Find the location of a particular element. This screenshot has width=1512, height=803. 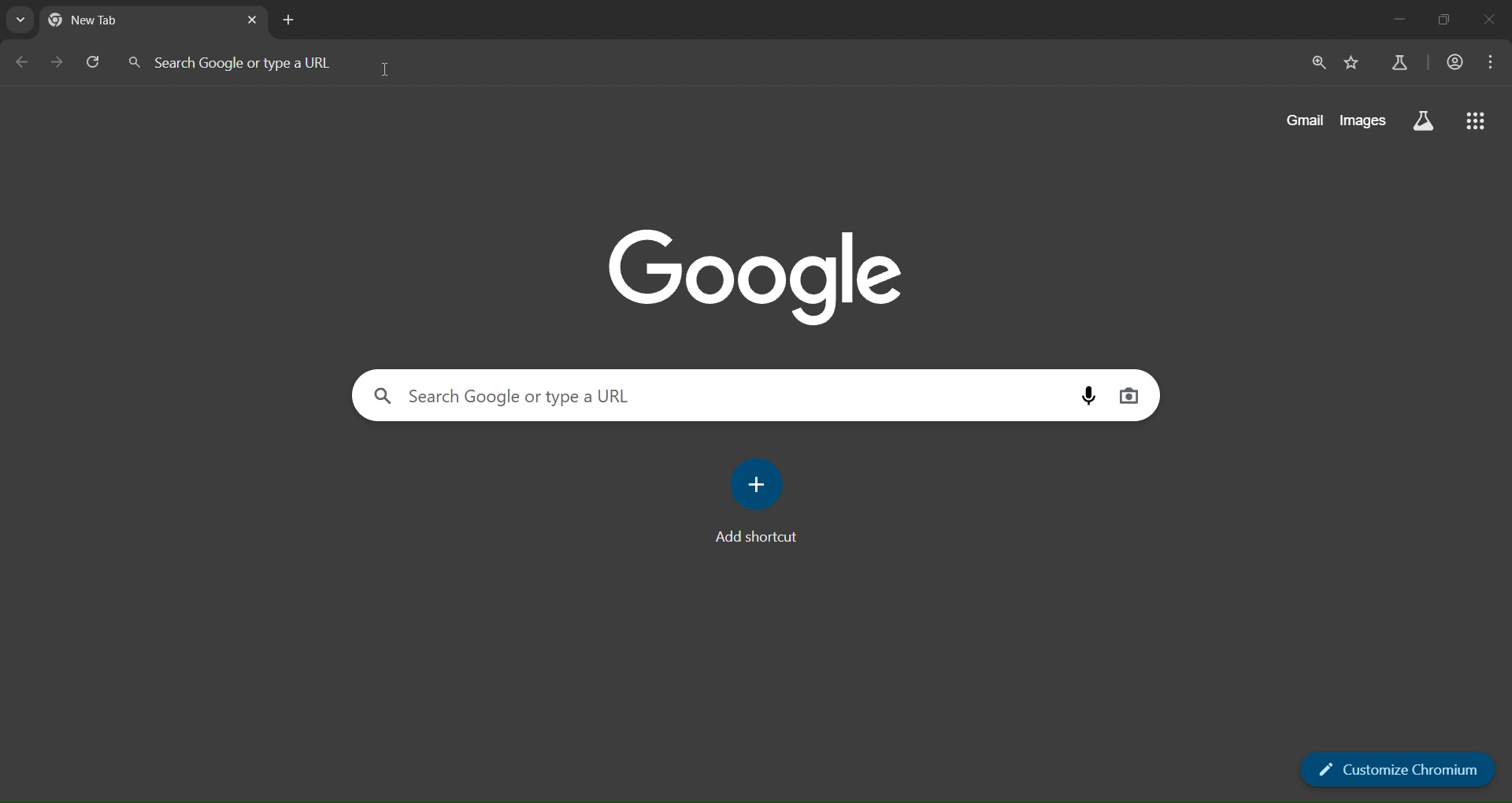

refresh is located at coordinates (92, 63).